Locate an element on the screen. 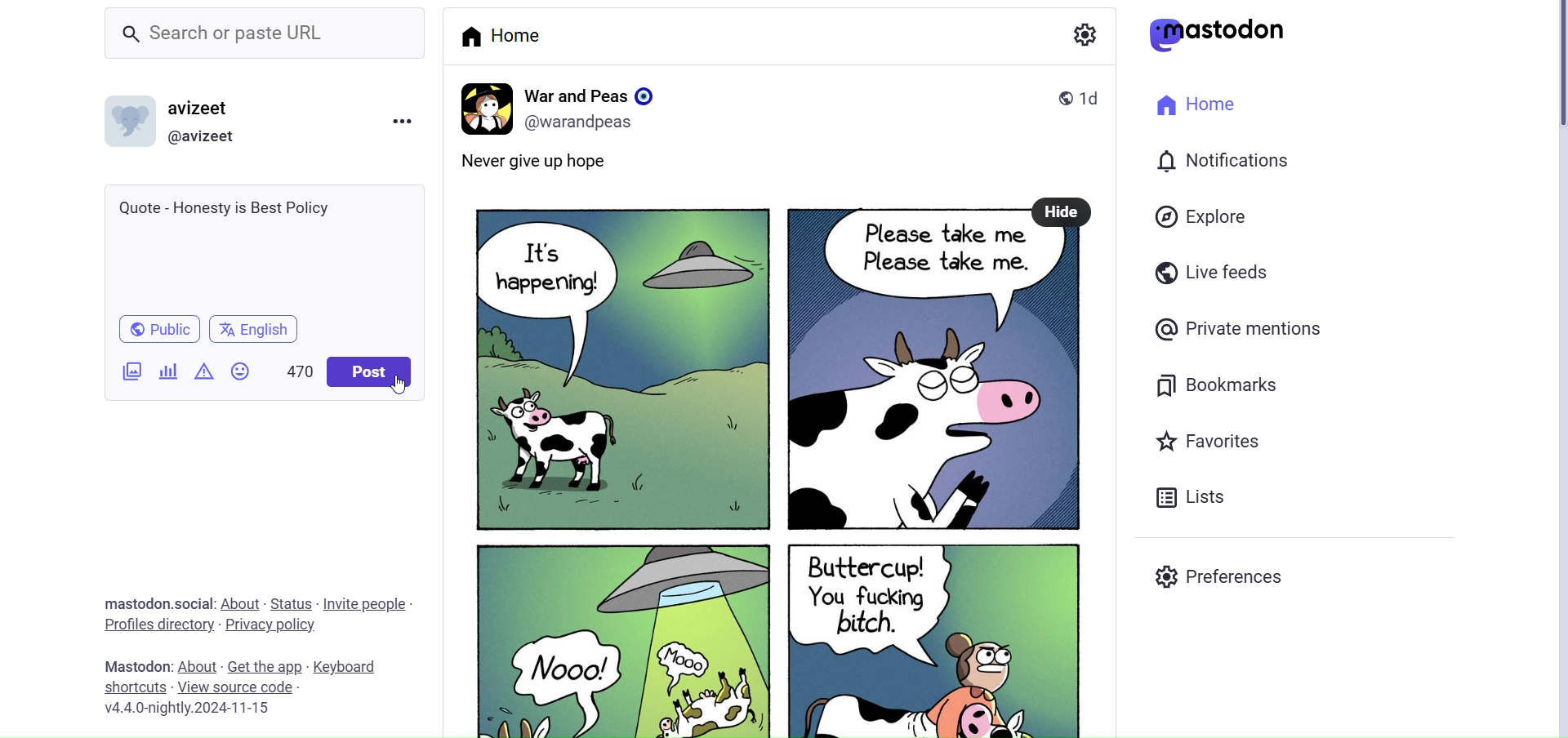  Search or paste URL is located at coordinates (248, 32).